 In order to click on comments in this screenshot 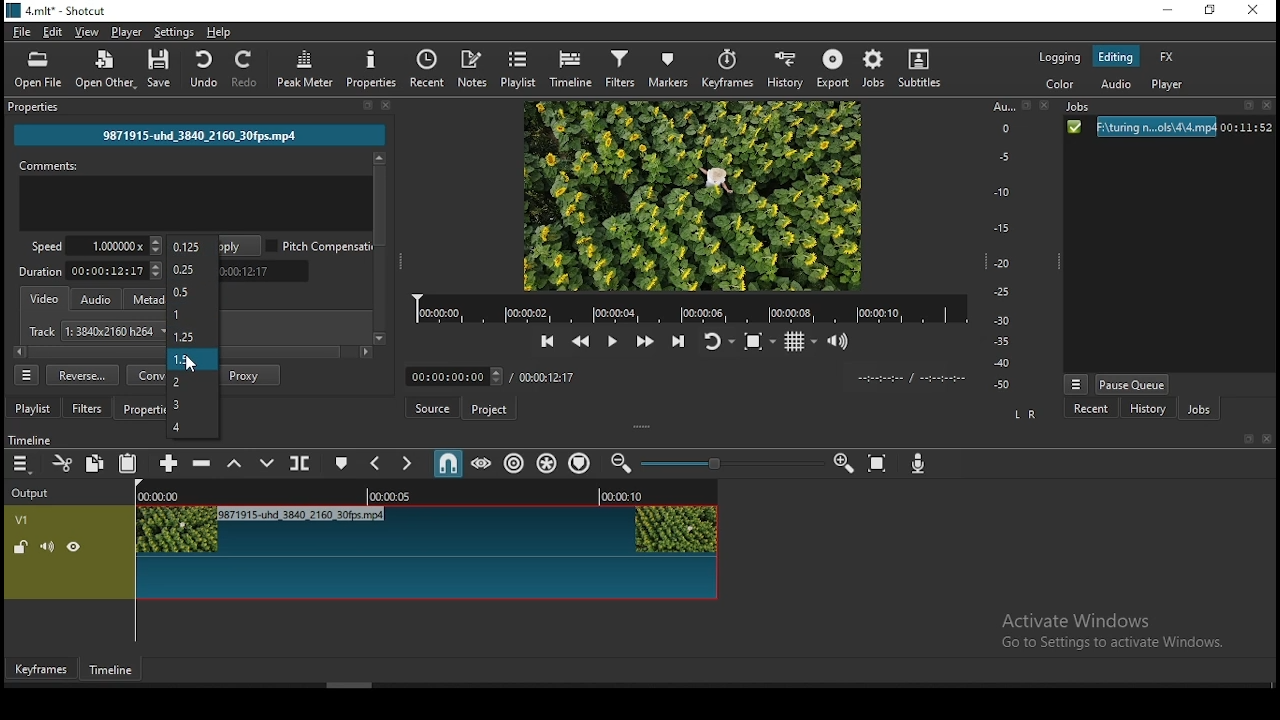, I will do `click(195, 194)`.